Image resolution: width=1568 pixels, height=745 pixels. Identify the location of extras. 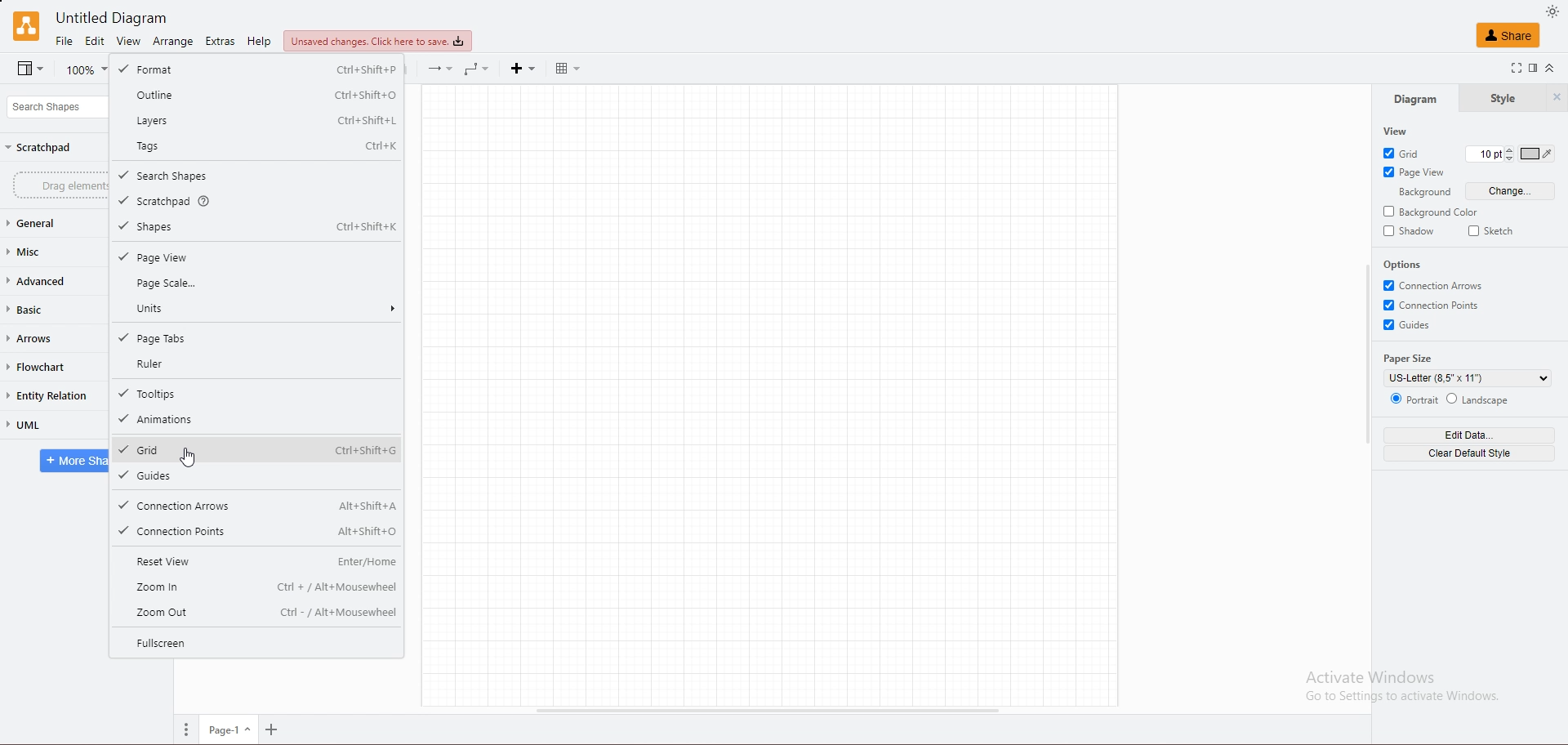
(220, 41).